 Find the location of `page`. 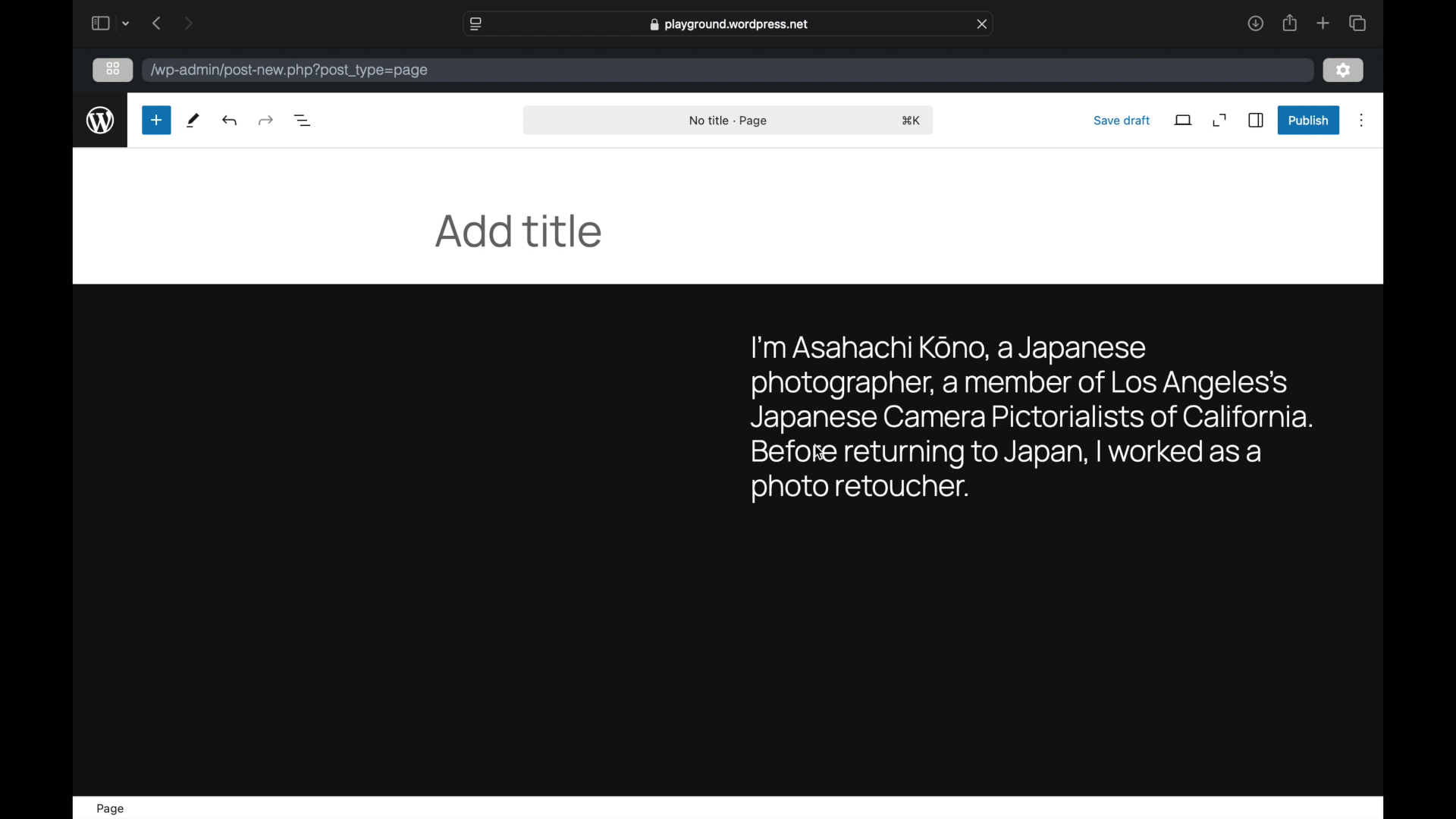

page is located at coordinates (113, 808).